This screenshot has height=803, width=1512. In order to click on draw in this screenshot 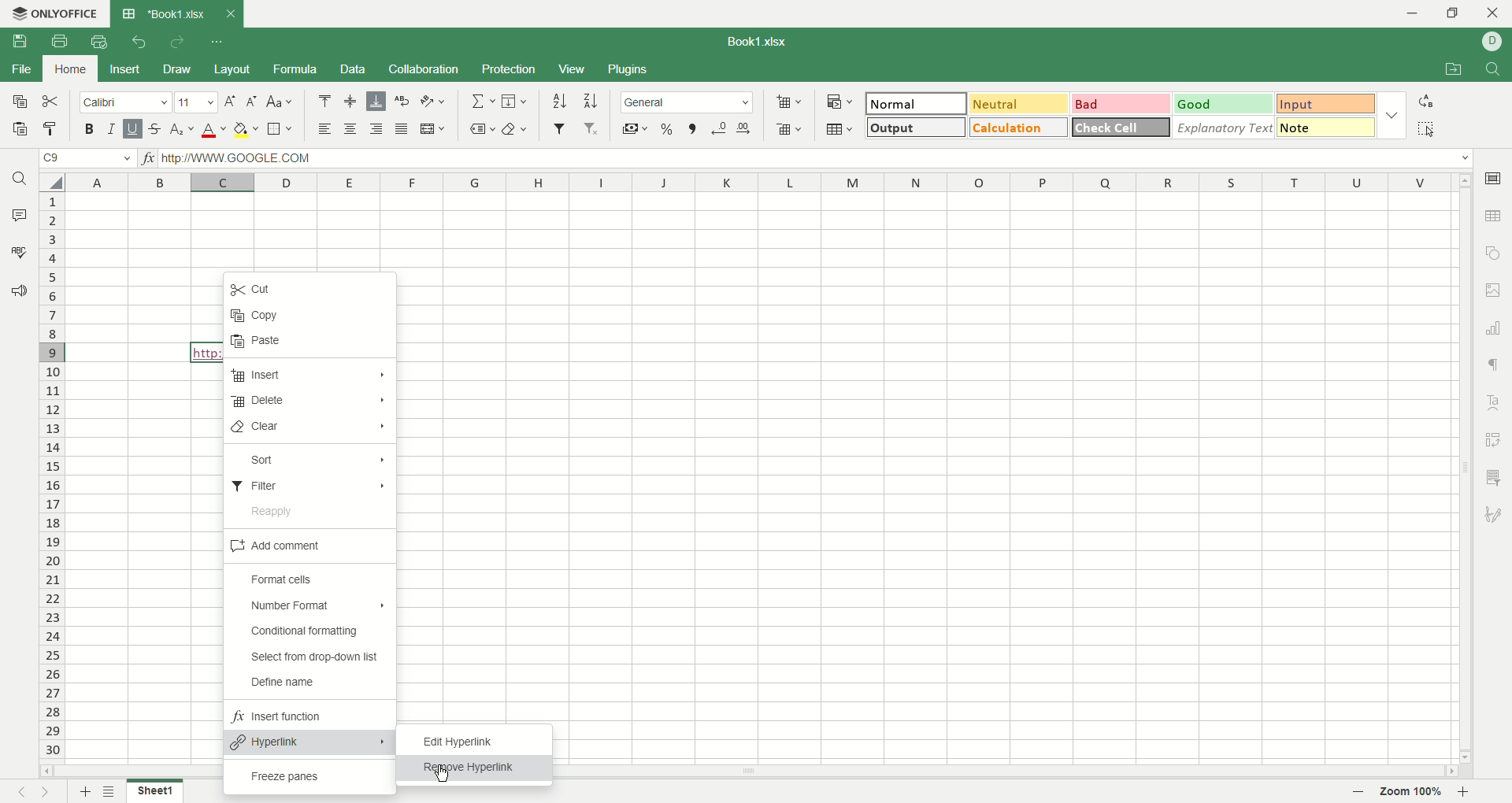, I will do `click(177, 69)`.